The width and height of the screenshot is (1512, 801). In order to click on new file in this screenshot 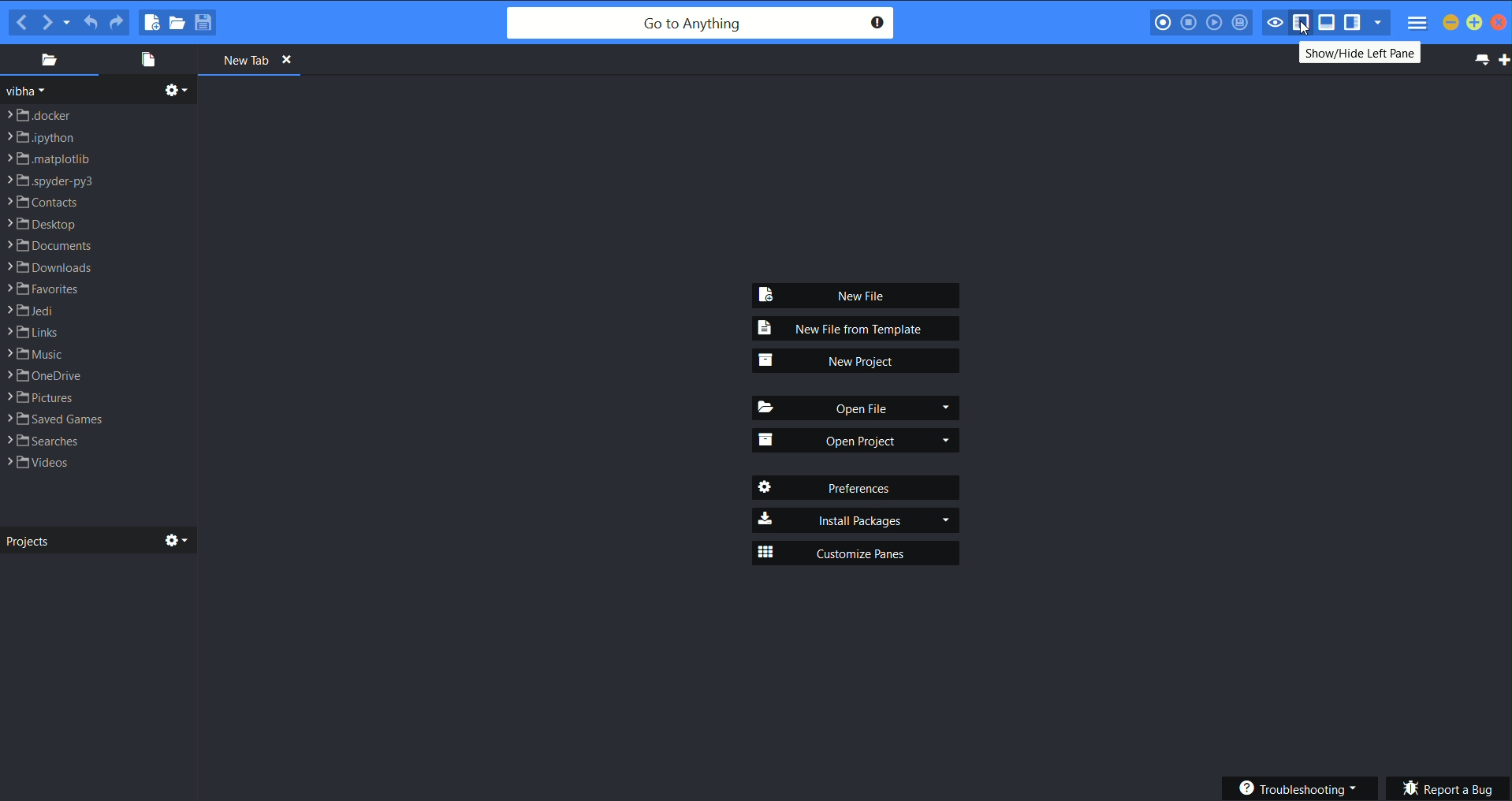, I will do `click(149, 20)`.